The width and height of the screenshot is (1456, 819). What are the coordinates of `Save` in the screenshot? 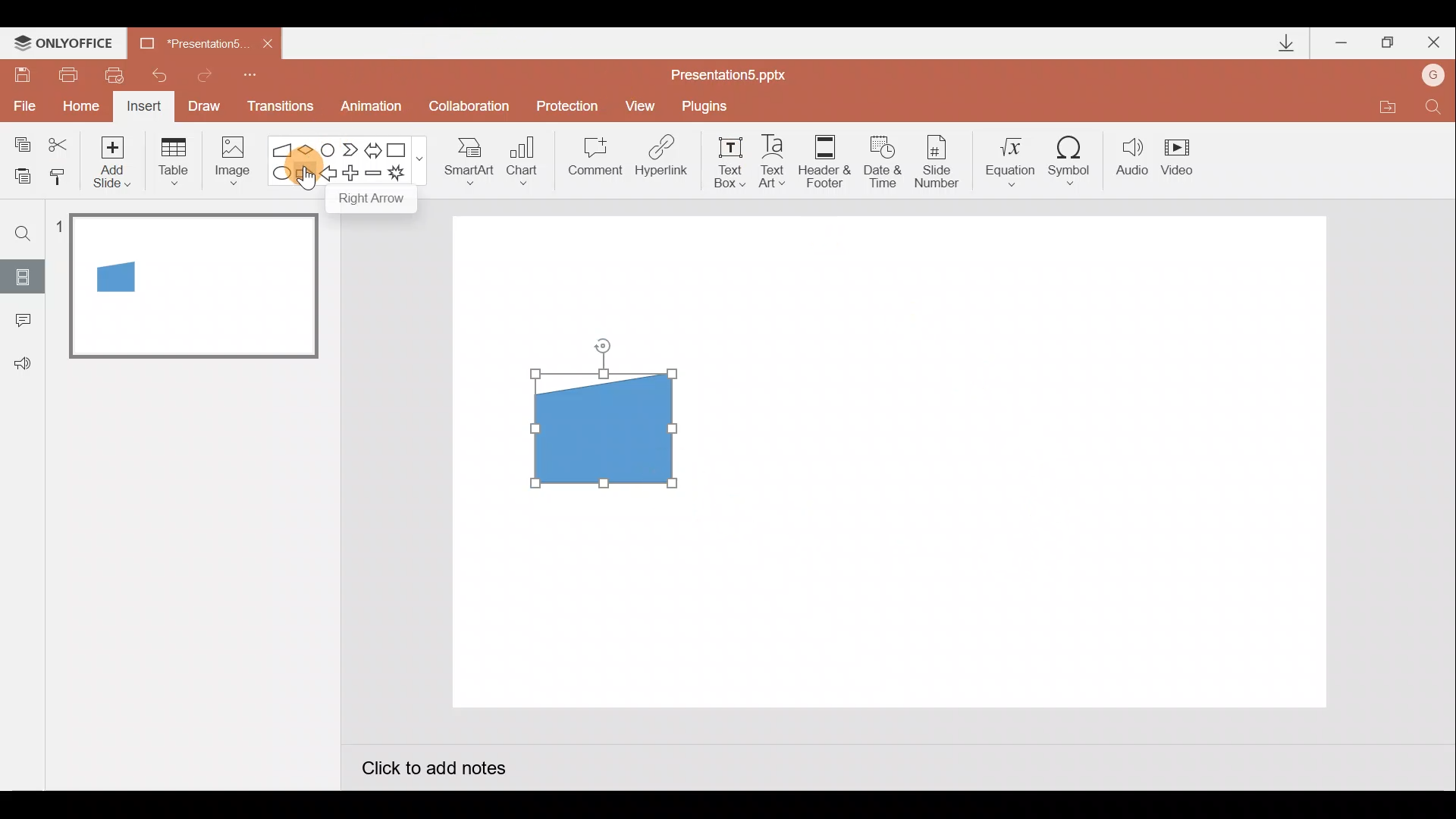 It's located at (21, 72).